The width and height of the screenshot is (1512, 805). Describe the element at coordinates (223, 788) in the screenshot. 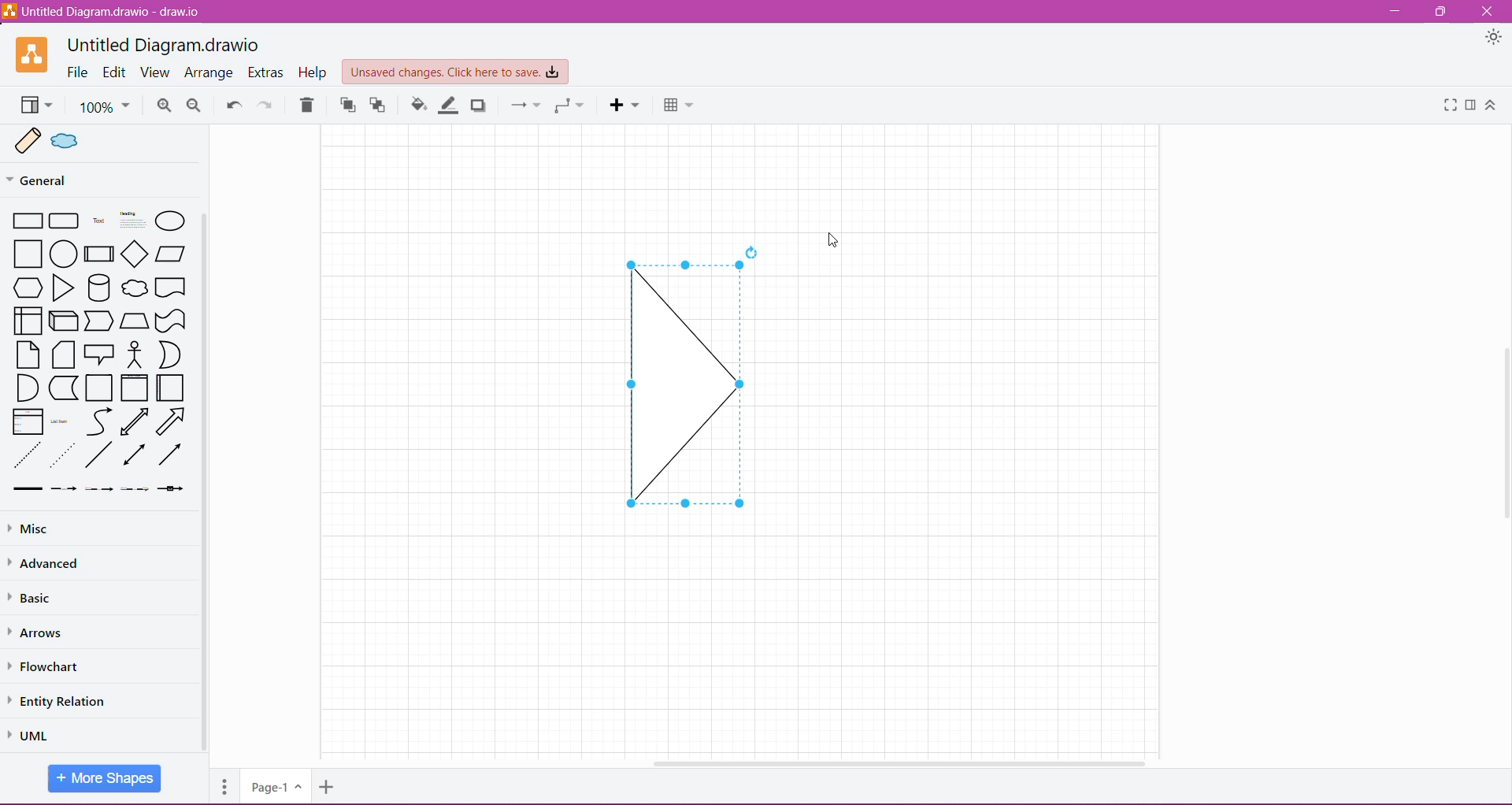

I see `Pages` at that location.